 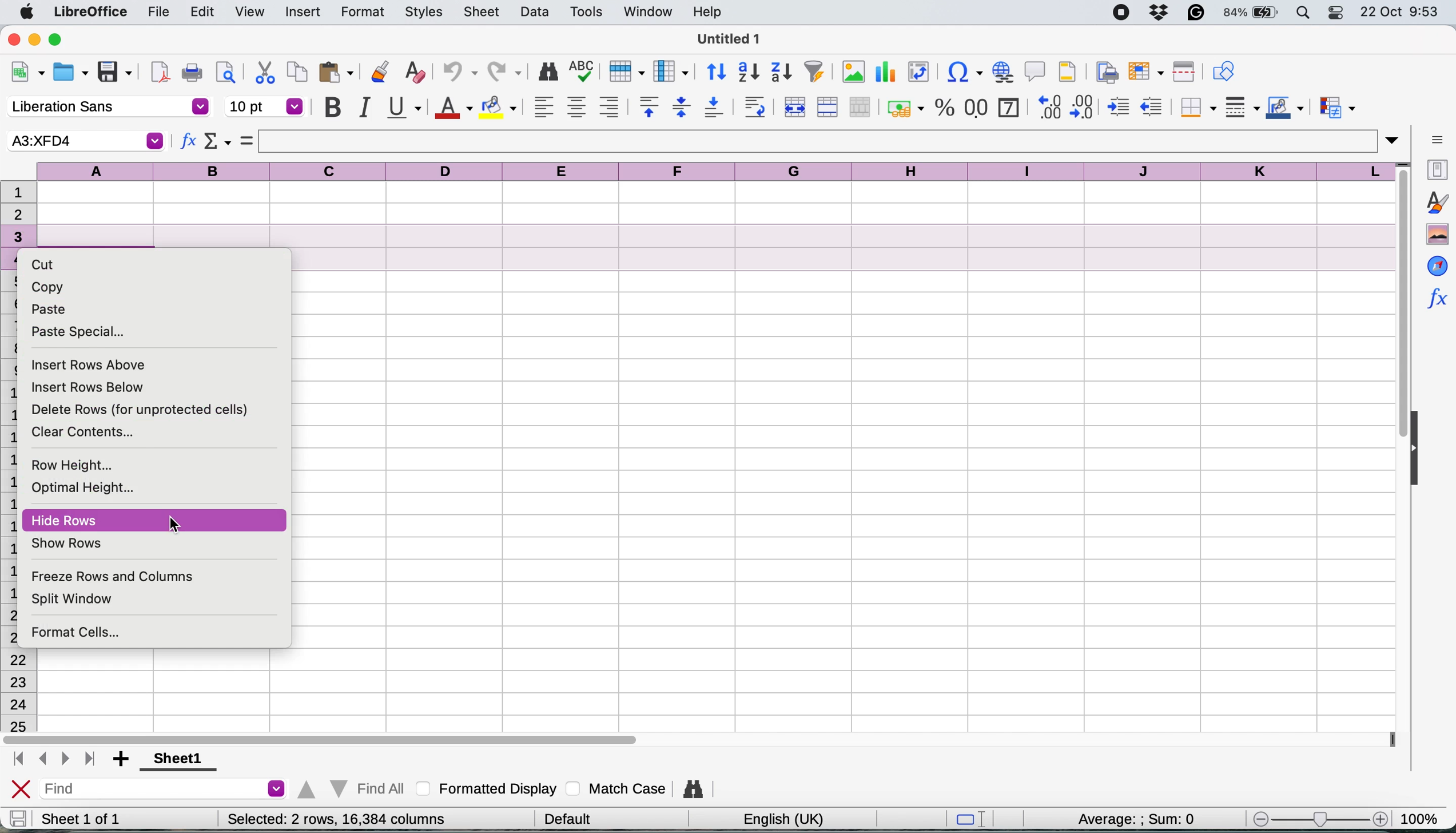 What do you see at coordinates (544, 106) in the screenshot?
I see `align left` at bounding box center [544, 106].